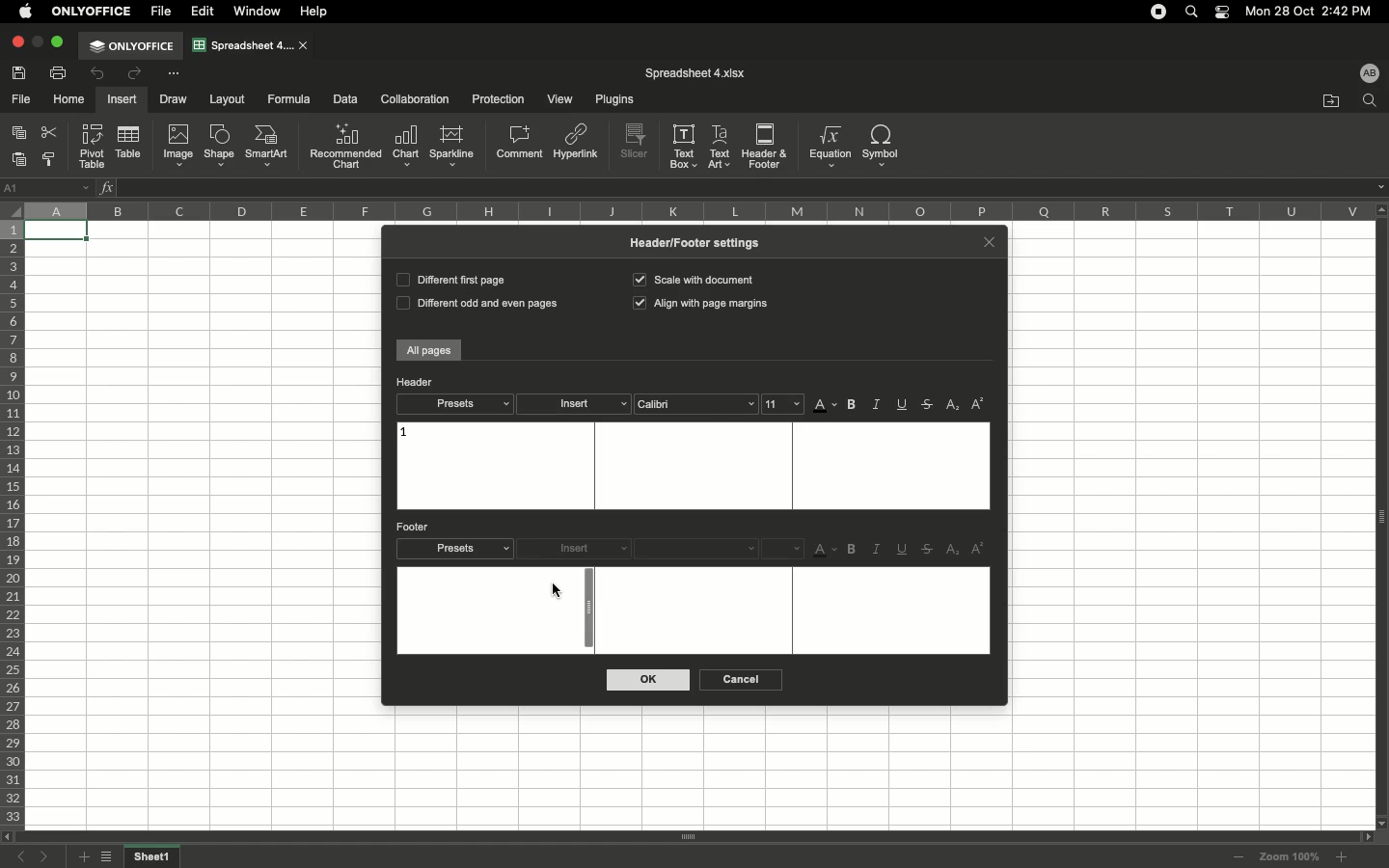  Describe the element at coordinates (1380, 822) in the screenshot. I see `scroll down` at that location.